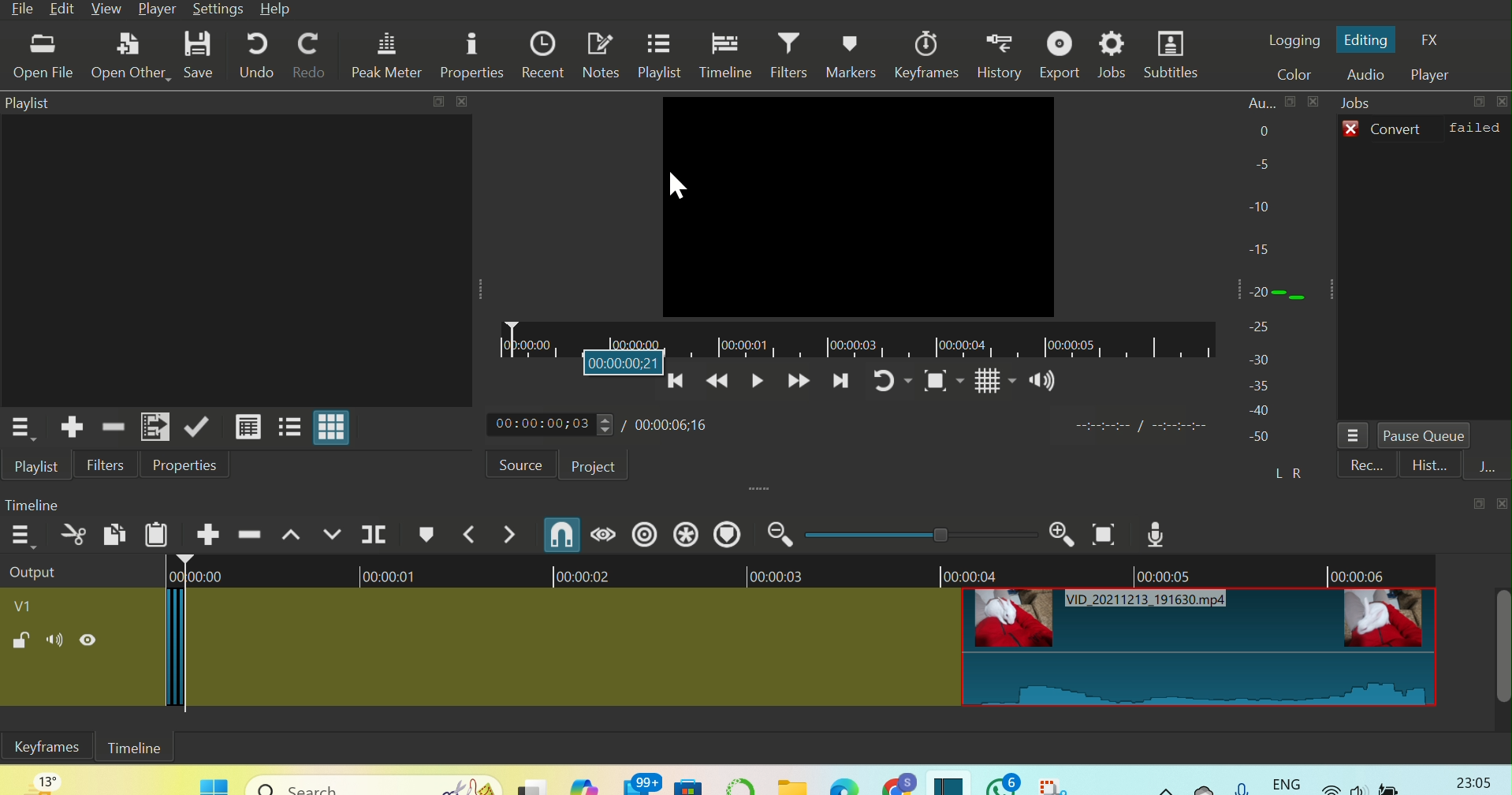 Image resolution: width=1512 pixels, height=795 pixels. I want to click on Copy, so click(113, 535).